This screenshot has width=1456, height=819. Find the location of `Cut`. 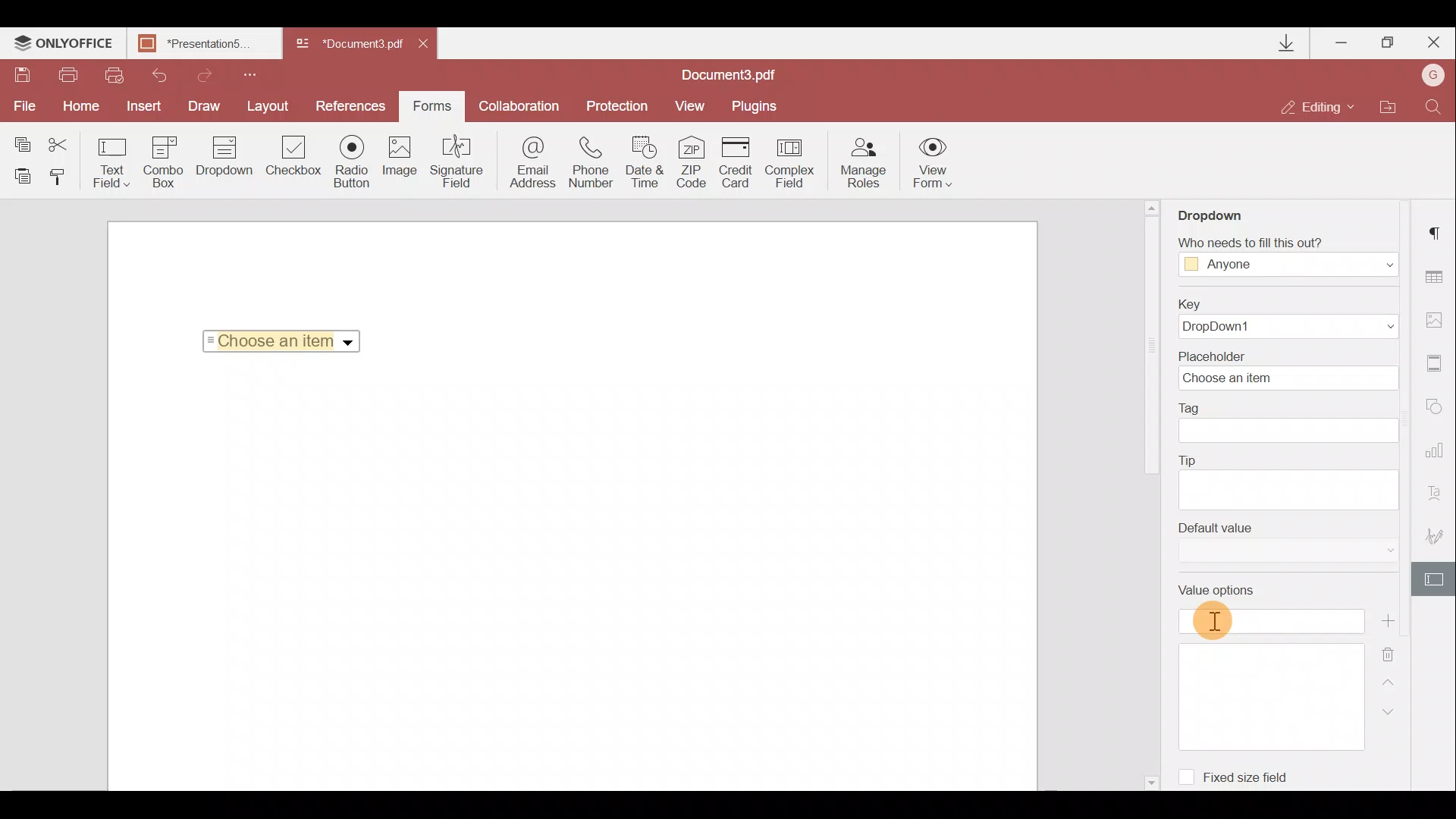

Cut is located at coordinates (67, 142).